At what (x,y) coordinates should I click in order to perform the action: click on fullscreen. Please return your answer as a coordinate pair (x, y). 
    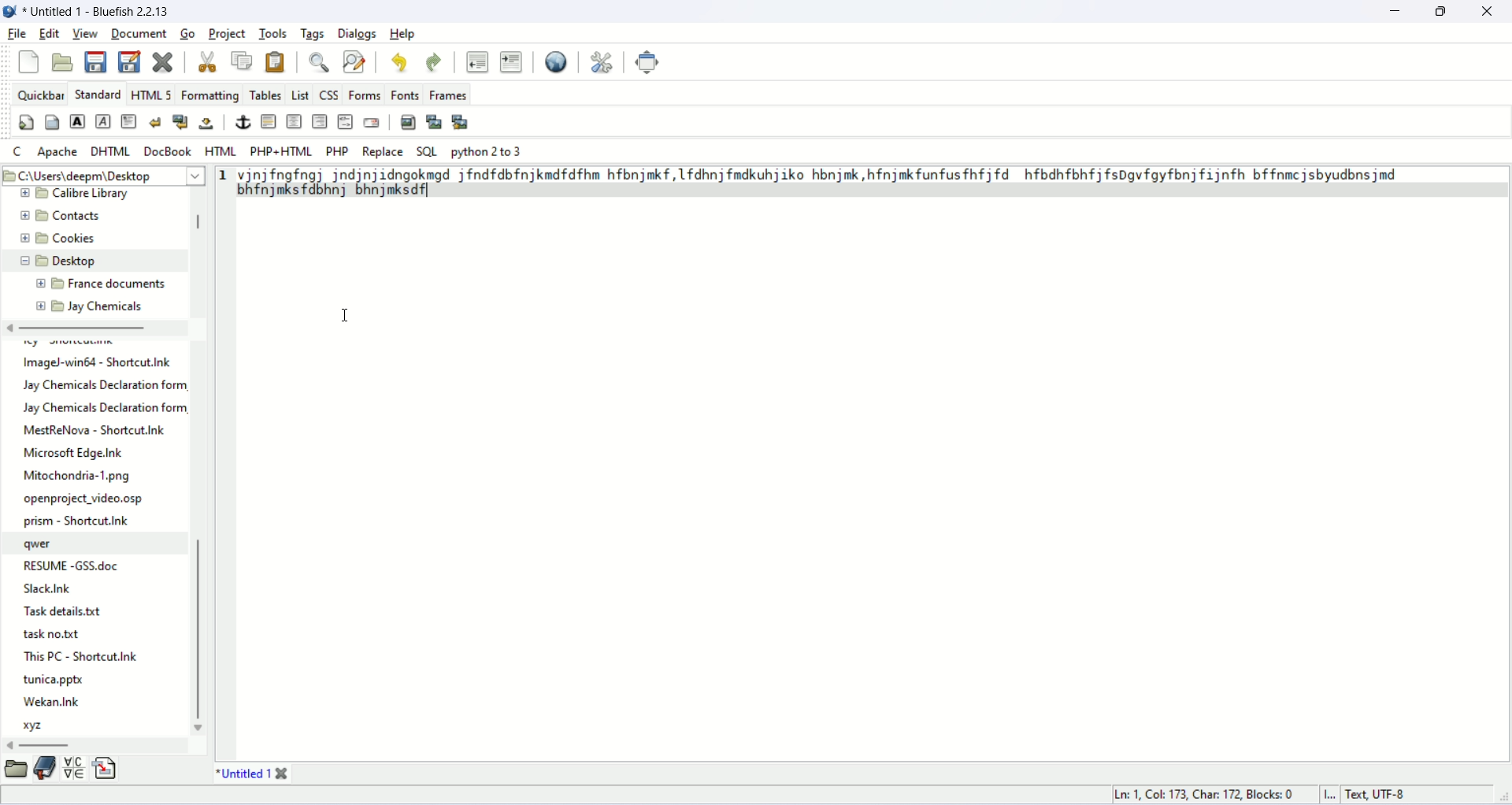
    Looking at the image, I should click on (649, 61).